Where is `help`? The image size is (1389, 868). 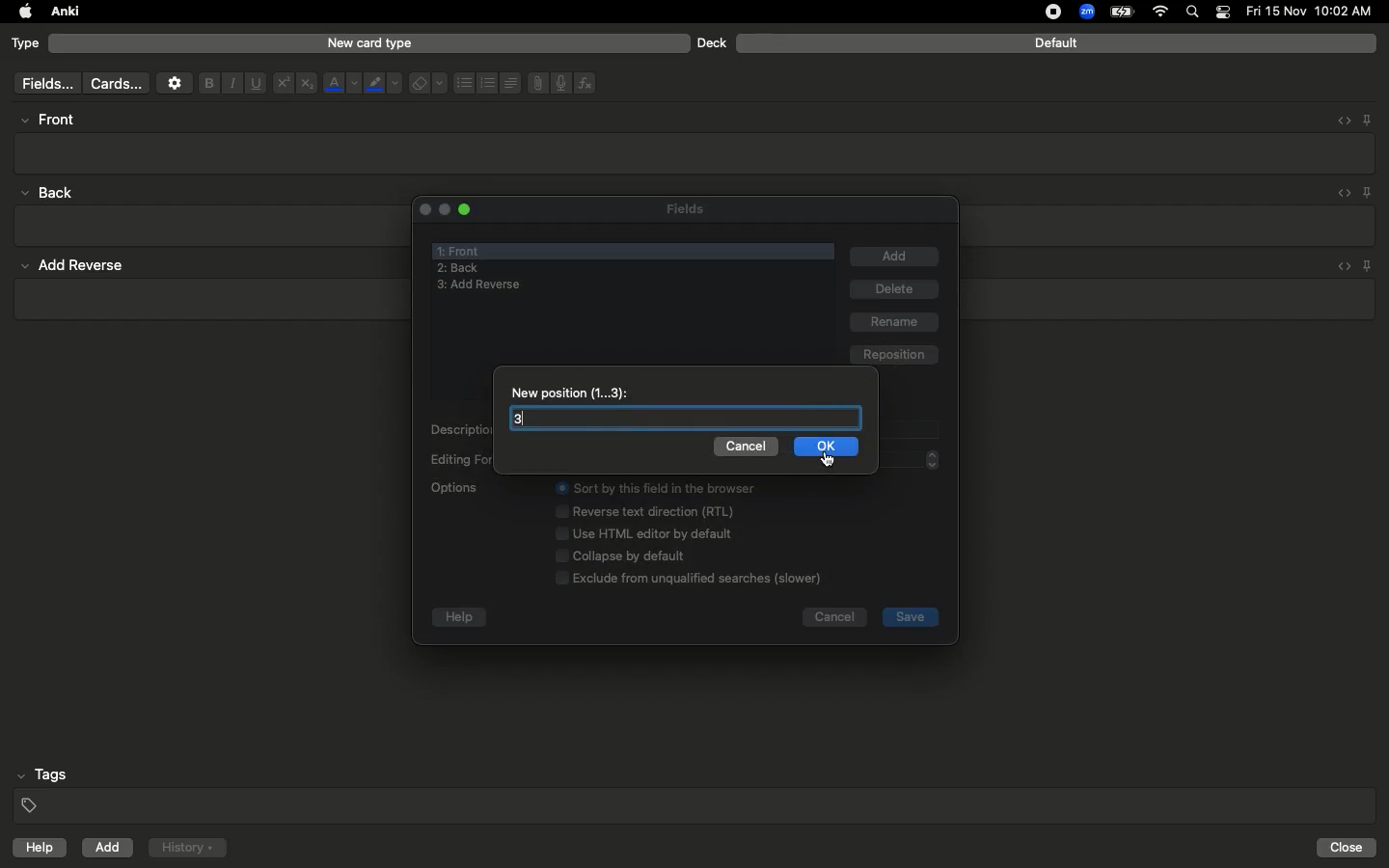 help is located at coordinates (460, 618).